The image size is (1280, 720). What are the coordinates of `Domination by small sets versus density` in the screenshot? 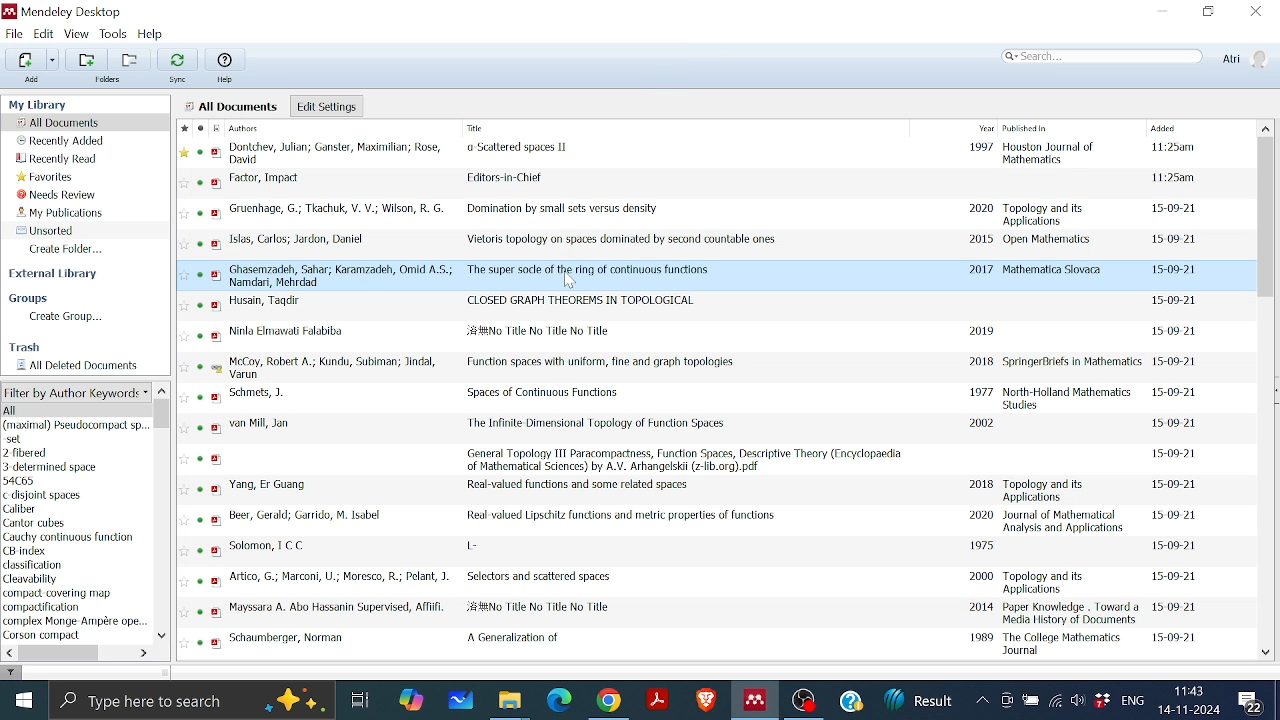 It's located at (705, 215).